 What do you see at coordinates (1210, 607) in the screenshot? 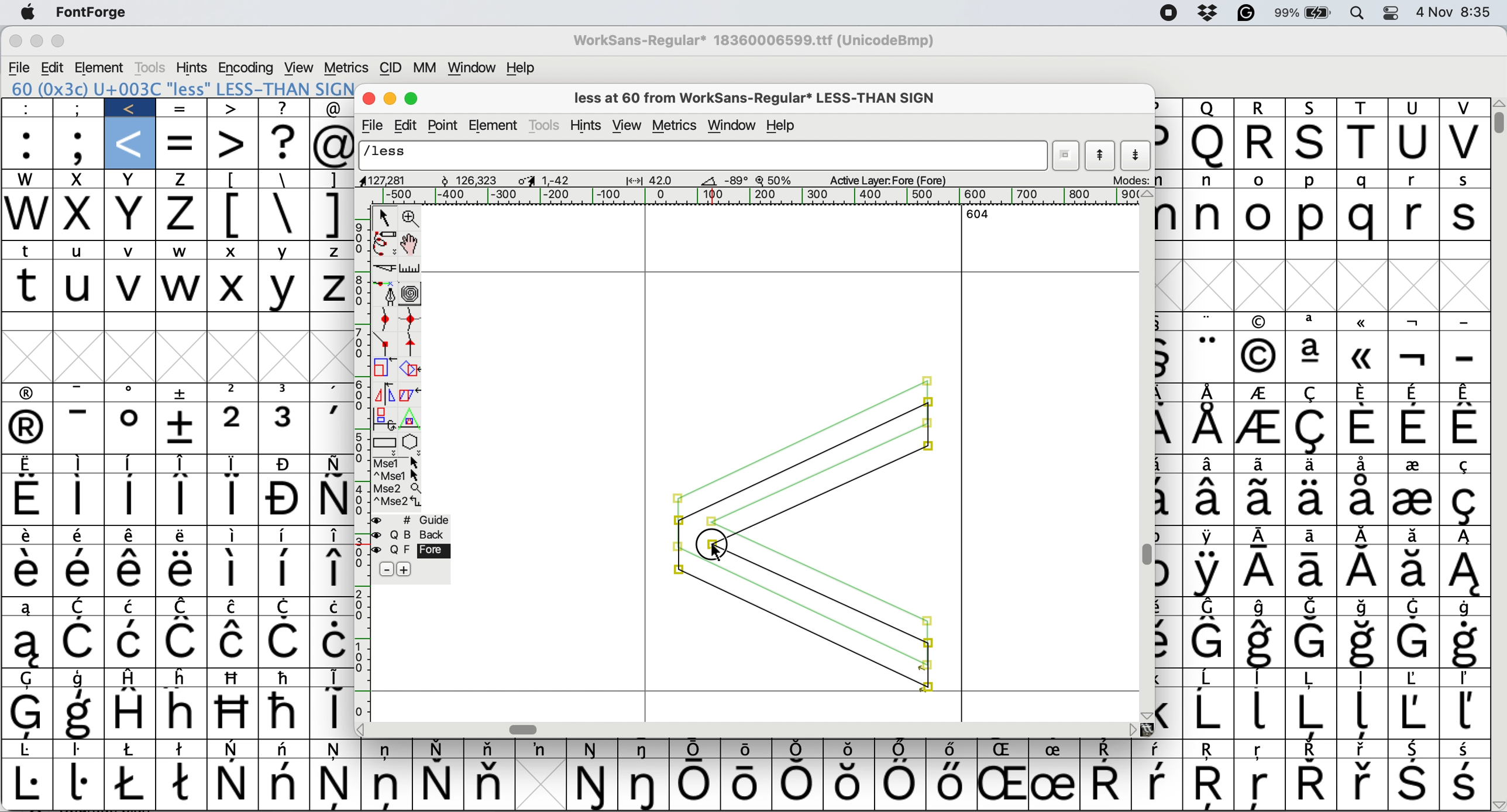
I see `Symbol` at bounding box center [1210, 607].